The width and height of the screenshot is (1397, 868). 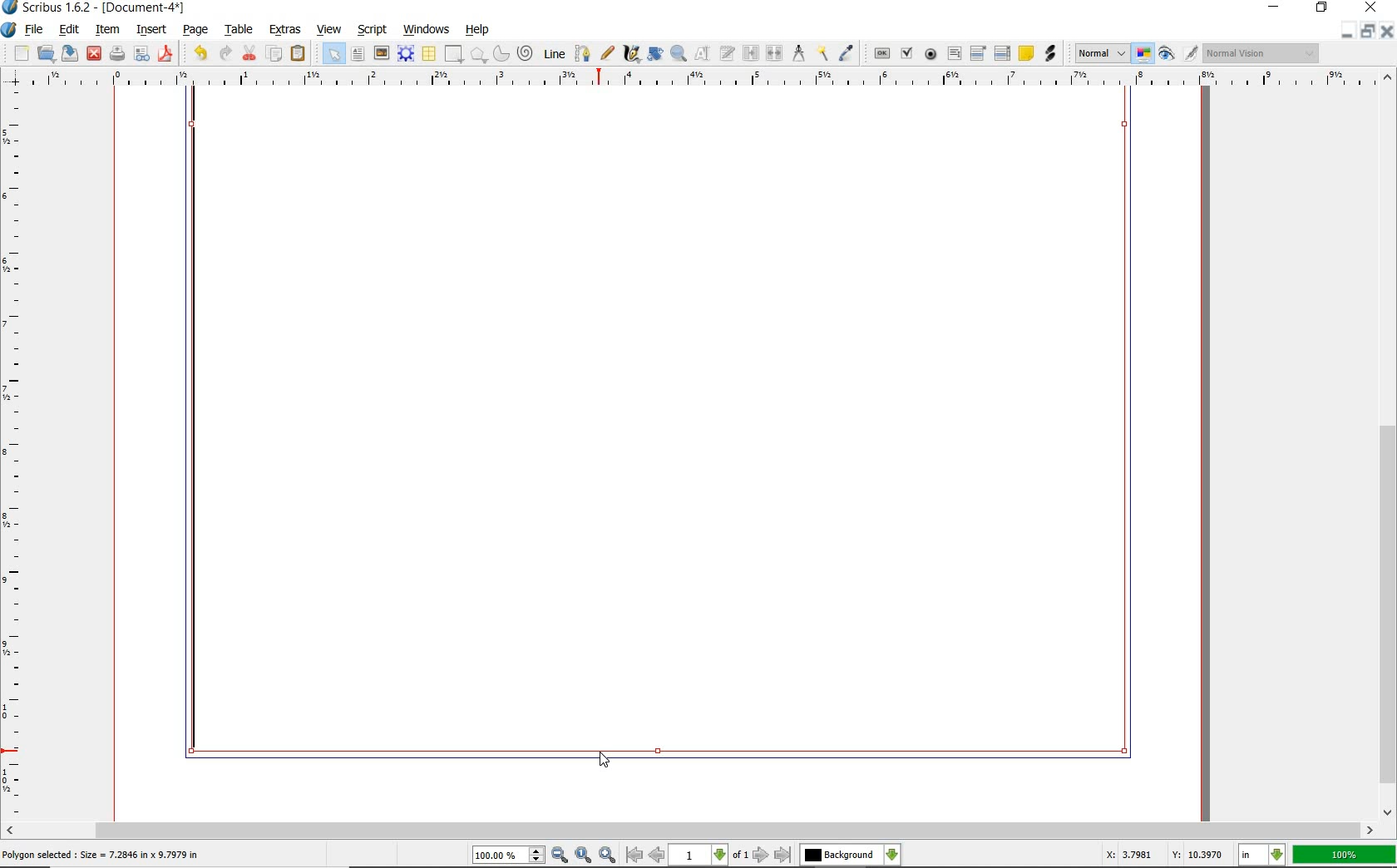 I want to click on scrollbar, so click(x=690, y=830).